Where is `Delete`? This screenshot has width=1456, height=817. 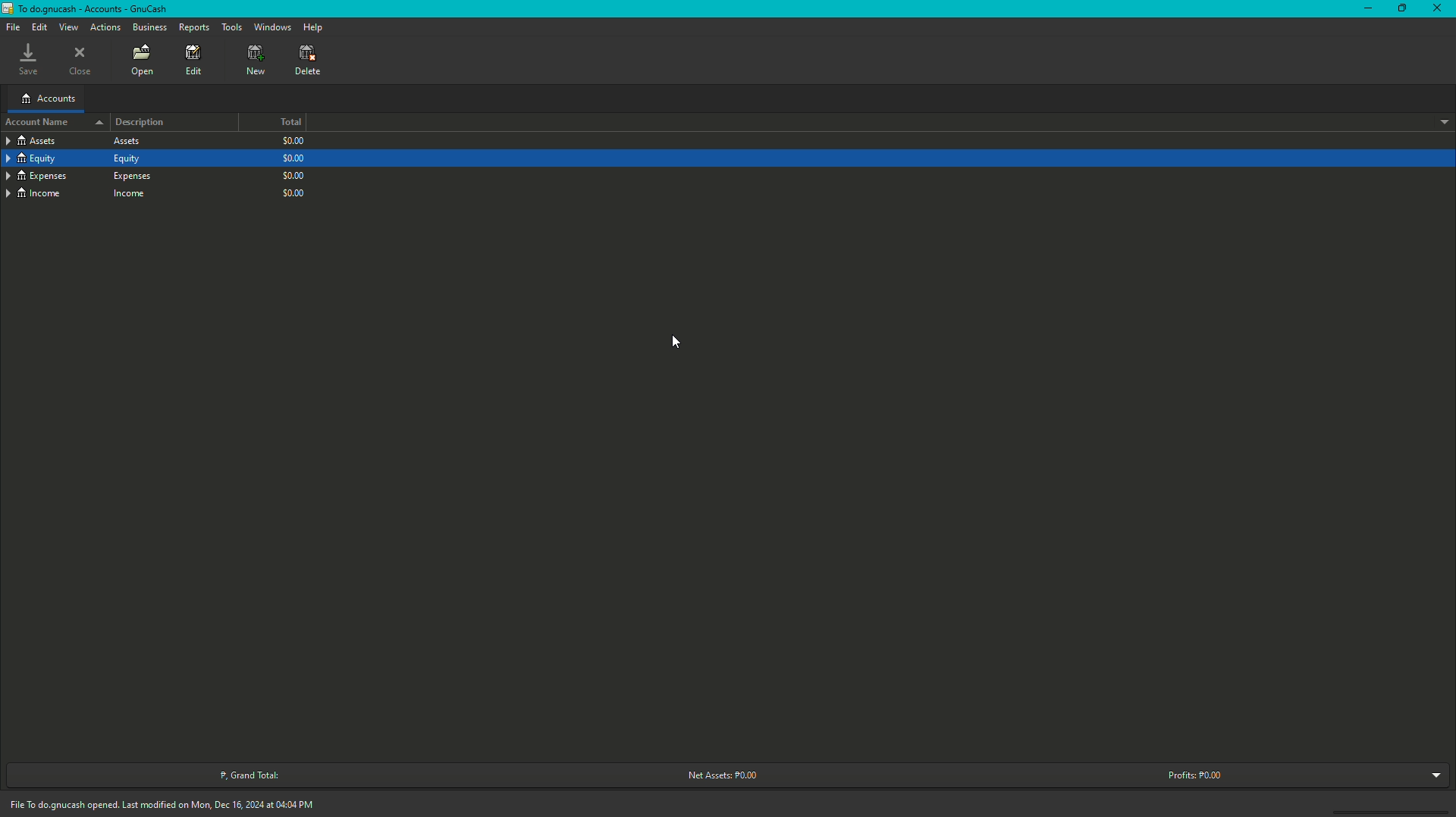
Delete is located at coordinates (309, 61).